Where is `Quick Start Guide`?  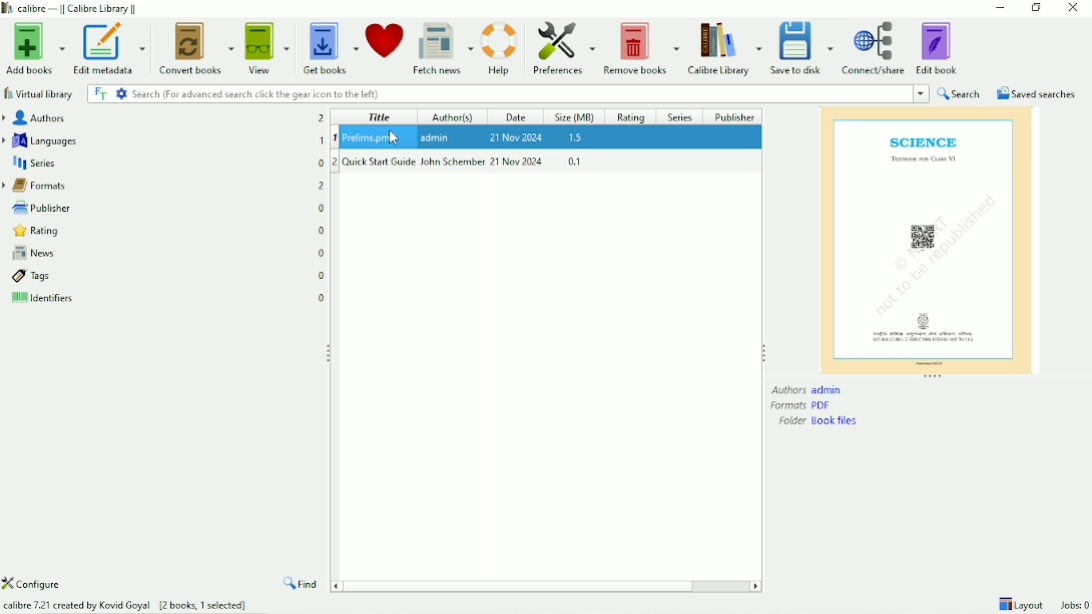 Quick Start Guide is located at coordinates (379, 161).